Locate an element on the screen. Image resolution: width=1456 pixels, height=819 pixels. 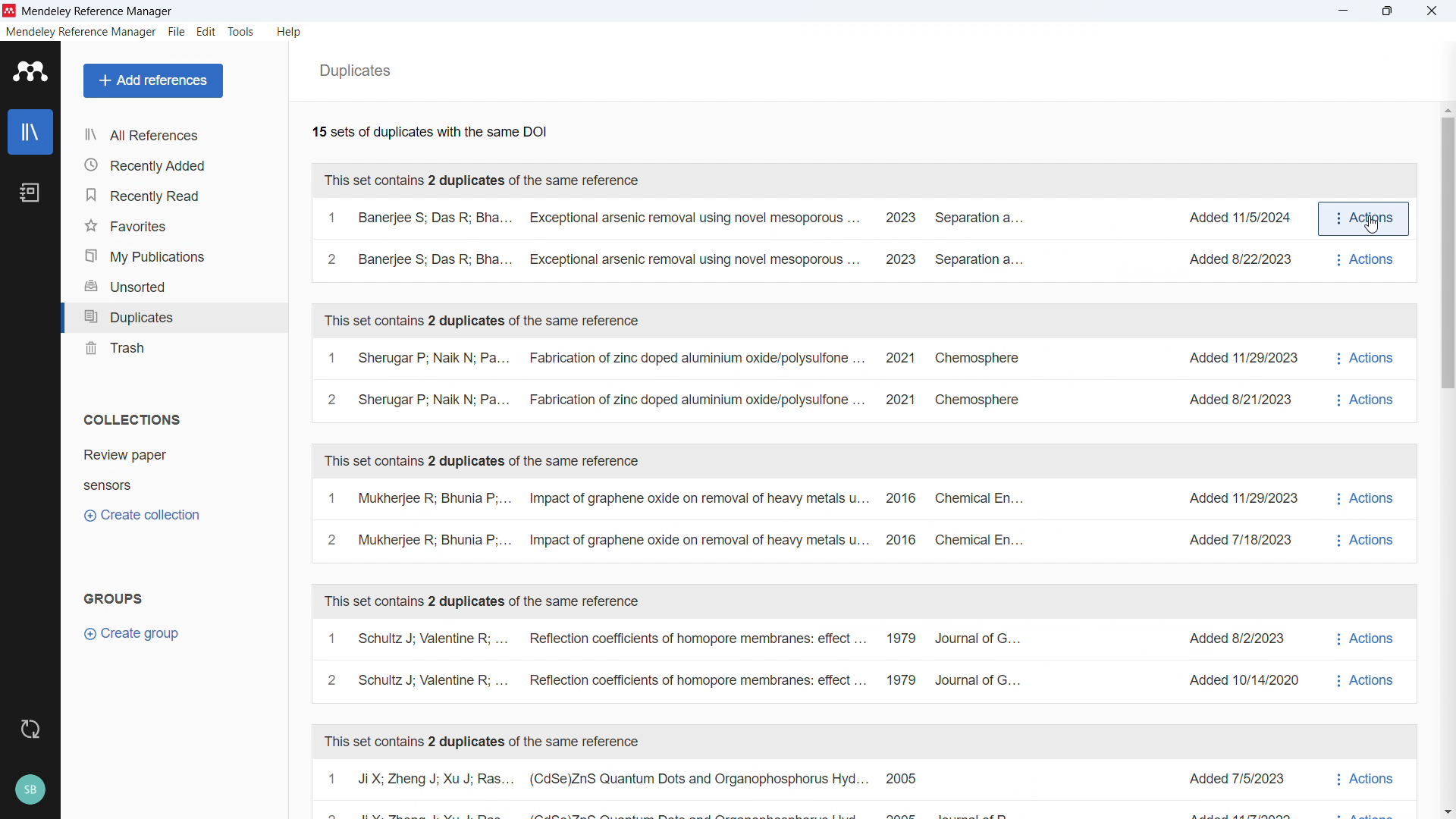
aration a... Added 8/22/2023 is located at coordinates (1225, 257).